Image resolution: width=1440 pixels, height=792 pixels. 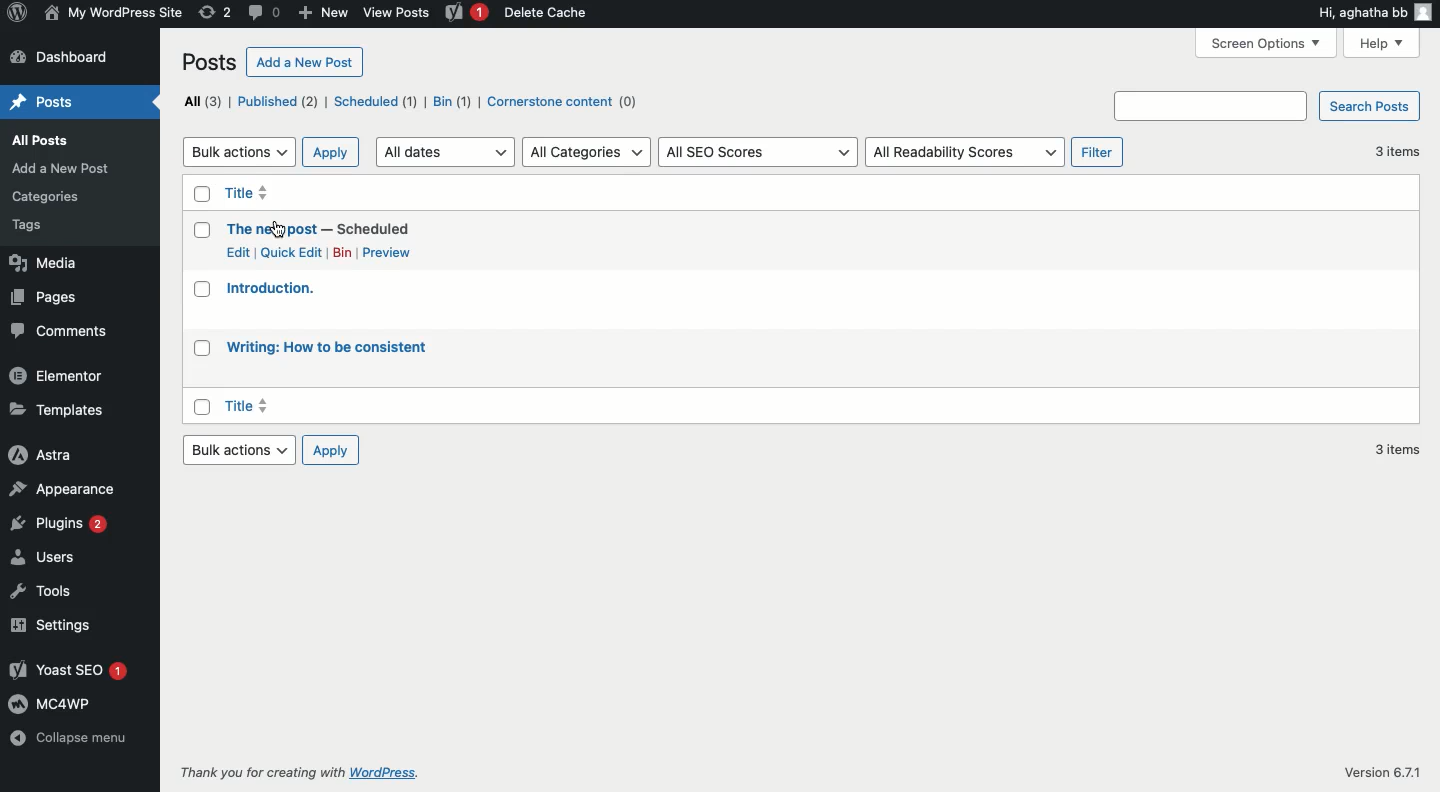 What do you see at coordinates (559, 100) in the screenshot?
I see `Cornerstone content` at bounding box center [559, 100].